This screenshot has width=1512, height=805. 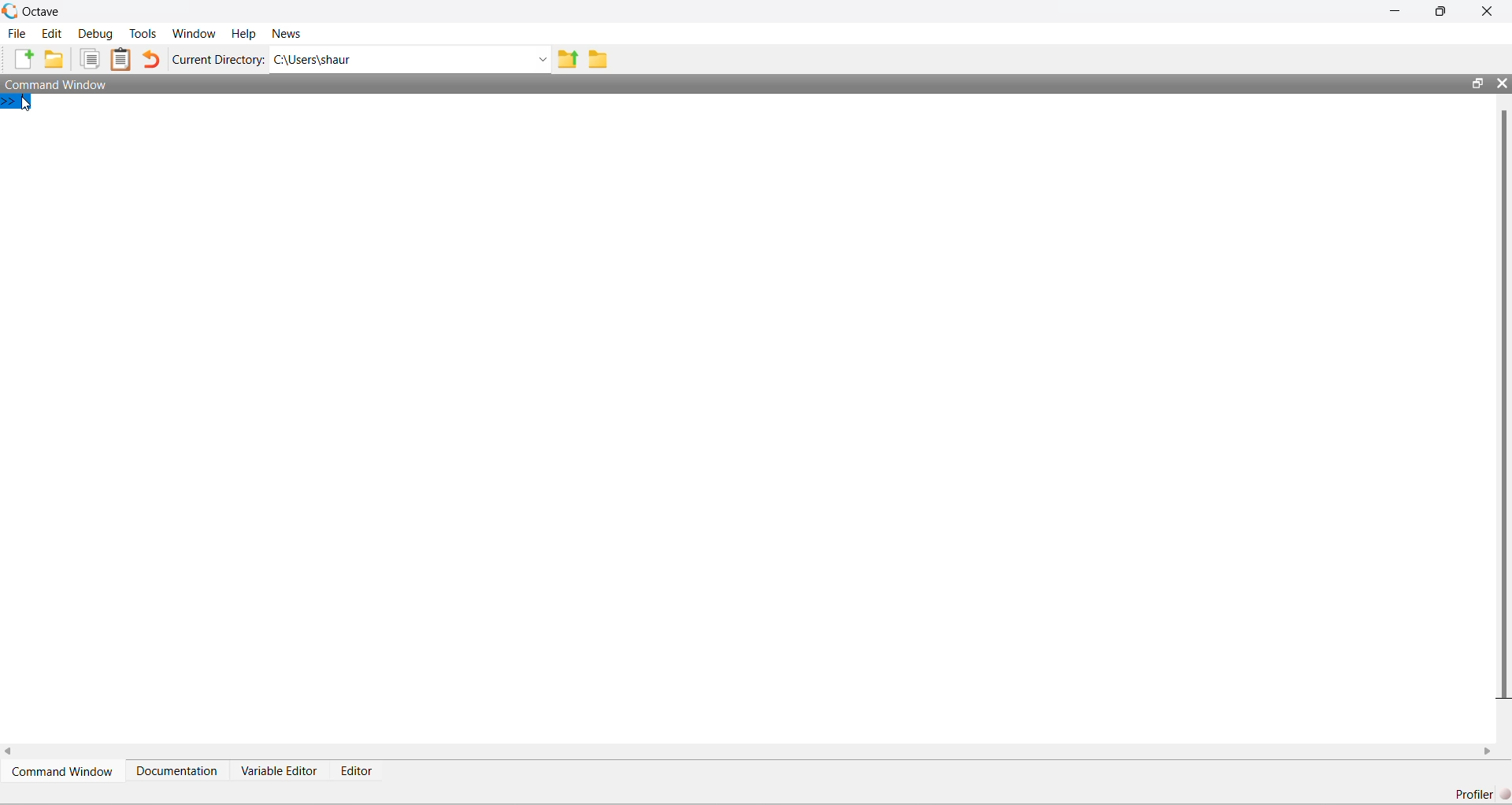 What do you see at coordinates (120, 60) in the screenshot?
I see `Clipboard` at bounding box center [120, 60].